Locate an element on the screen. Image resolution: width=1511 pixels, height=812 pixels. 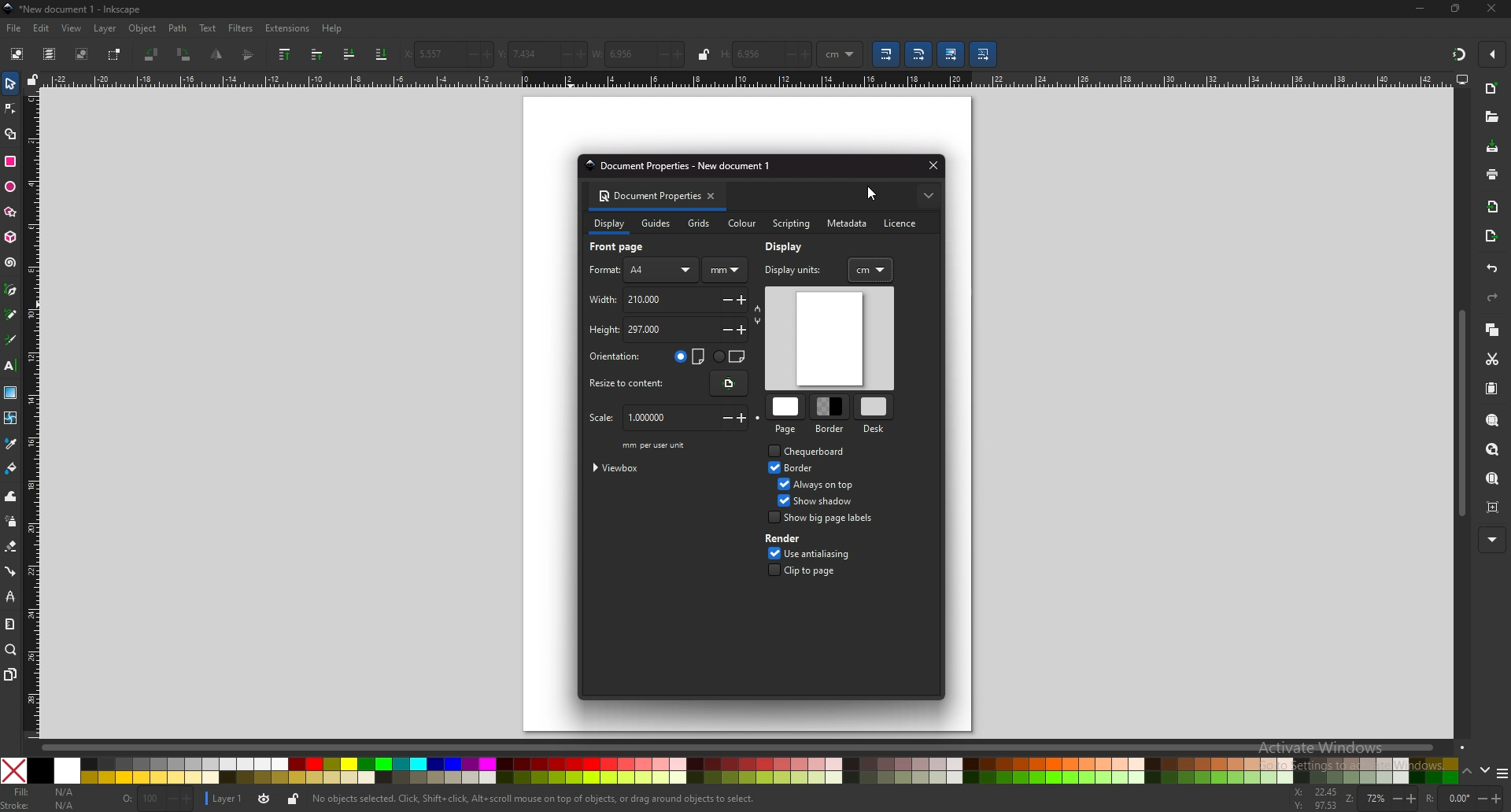
document properties is located at coordinates (647, 197).